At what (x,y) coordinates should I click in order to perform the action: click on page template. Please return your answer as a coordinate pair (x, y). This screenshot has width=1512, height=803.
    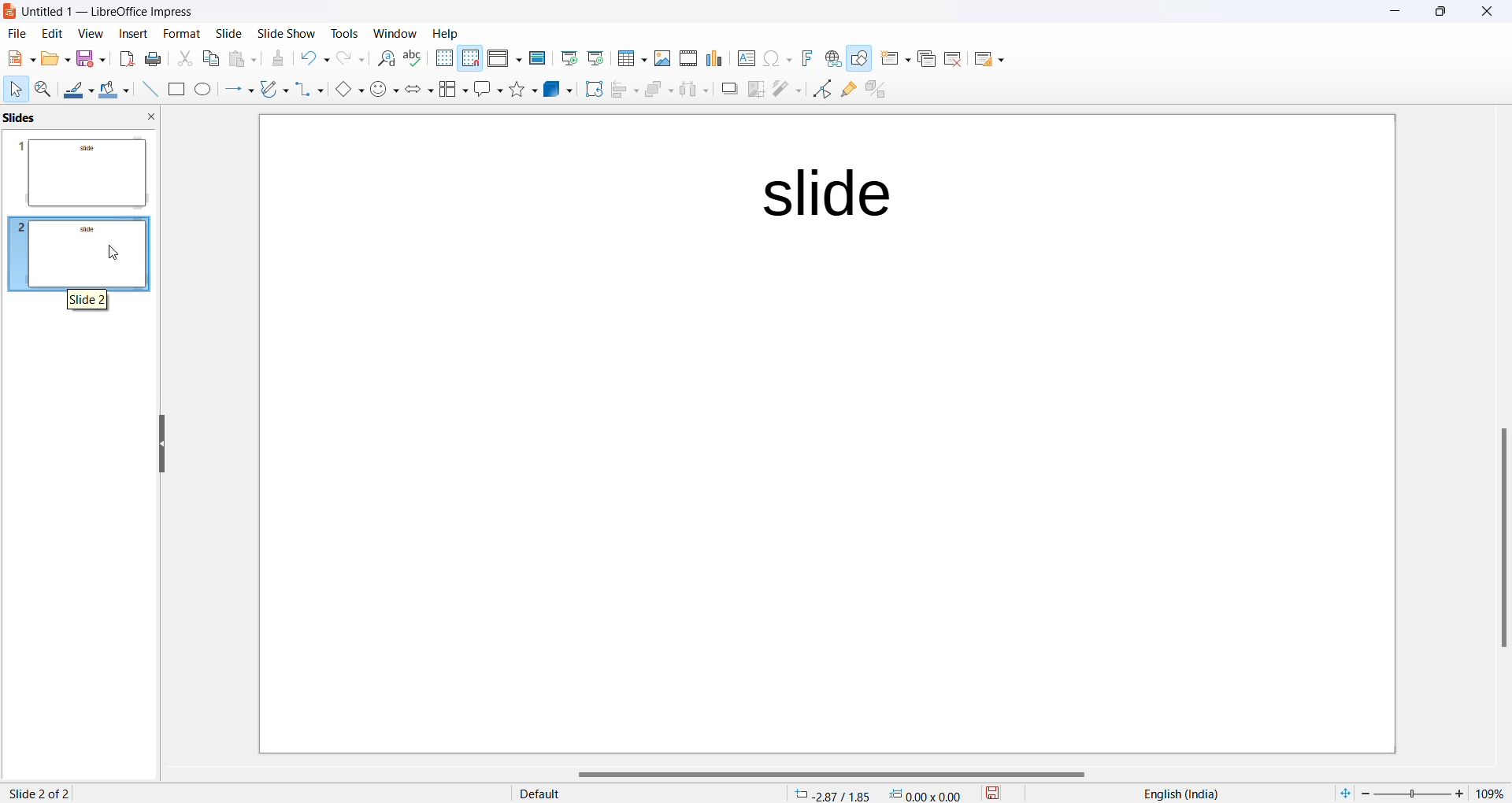
    Looking at the image, I should click on (821, 436).